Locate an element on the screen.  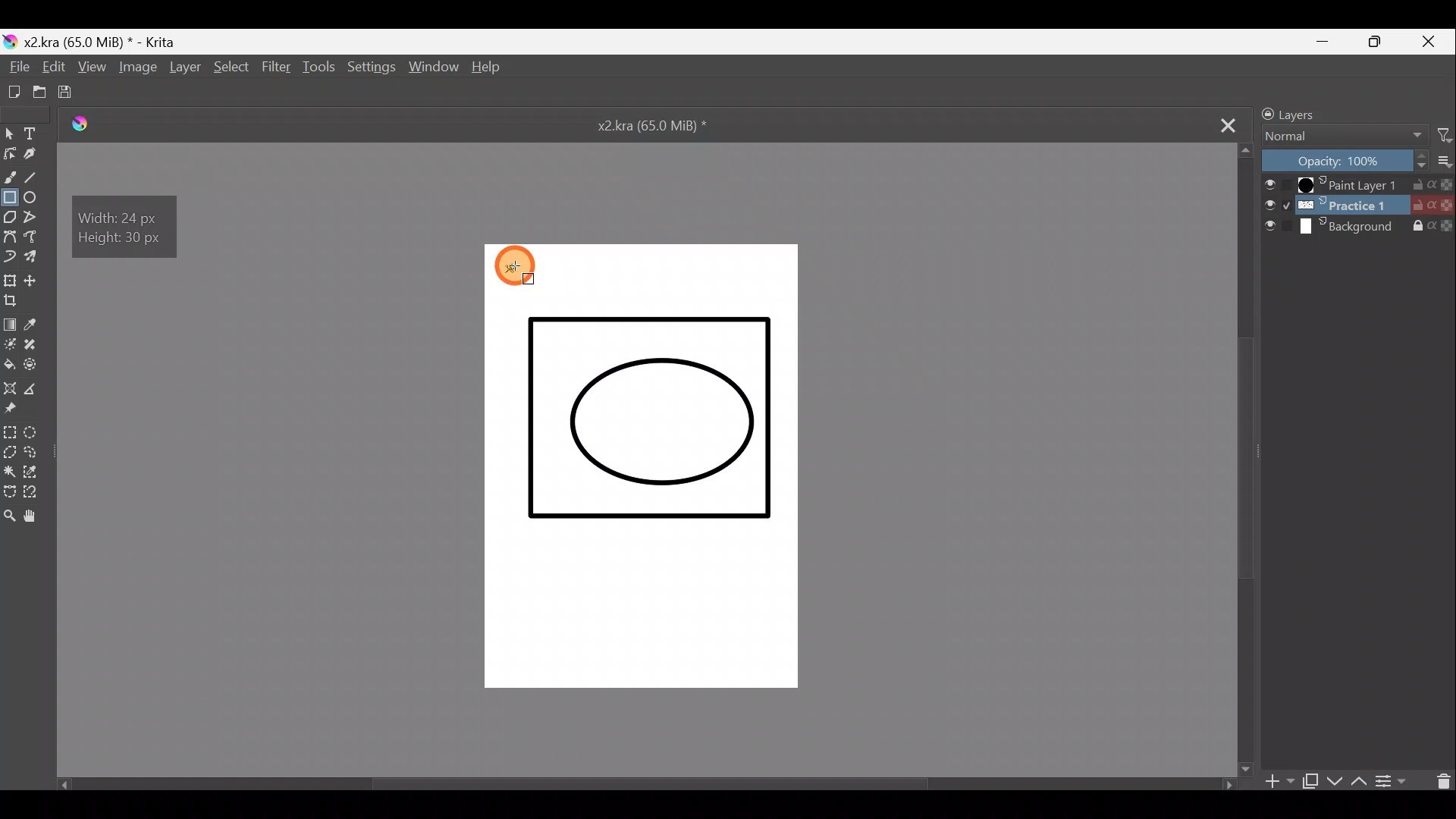
Background is located at coordinates (1360, 227).